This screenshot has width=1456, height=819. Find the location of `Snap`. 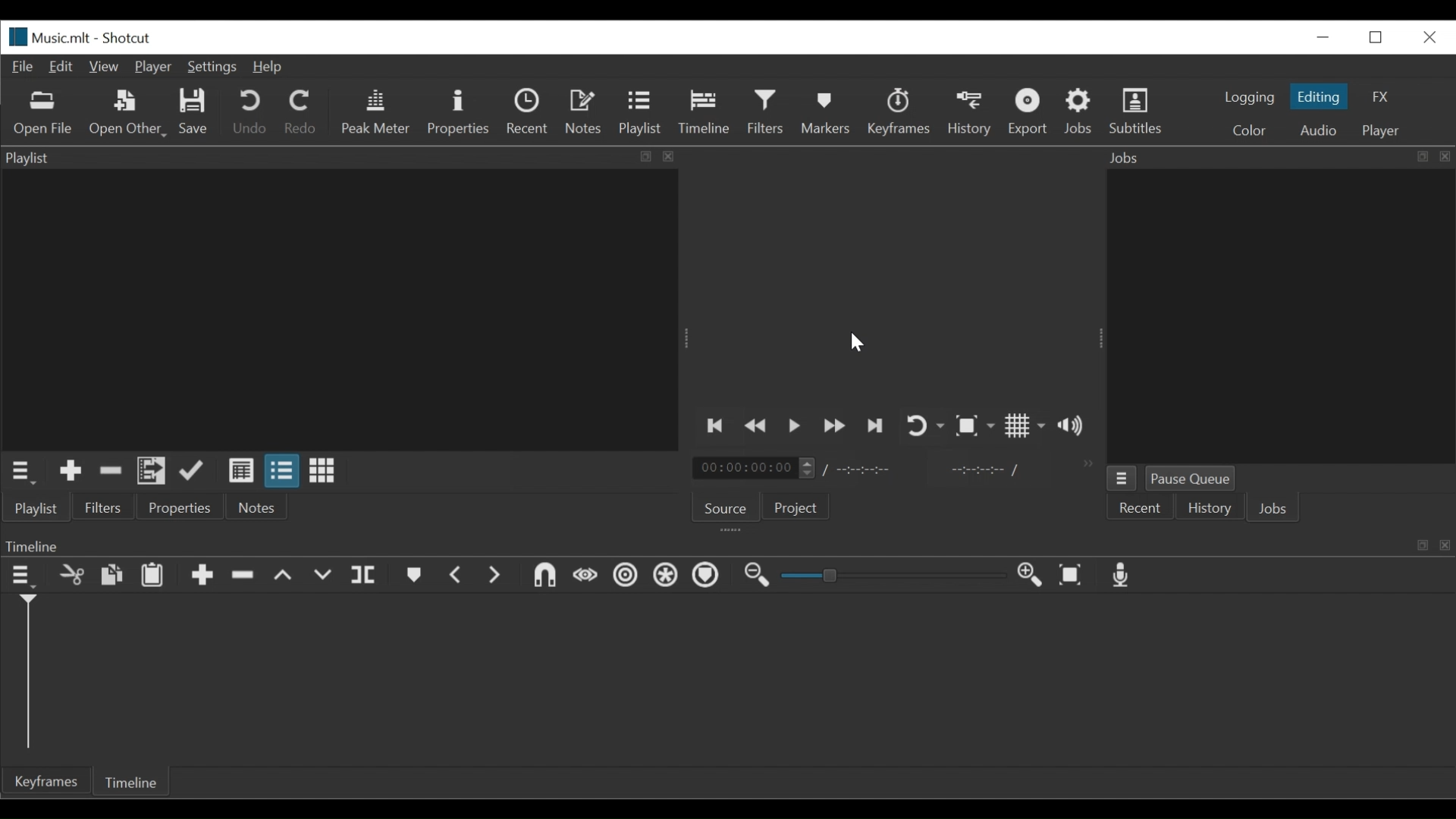

Snap is located at coordinates (547, 575).